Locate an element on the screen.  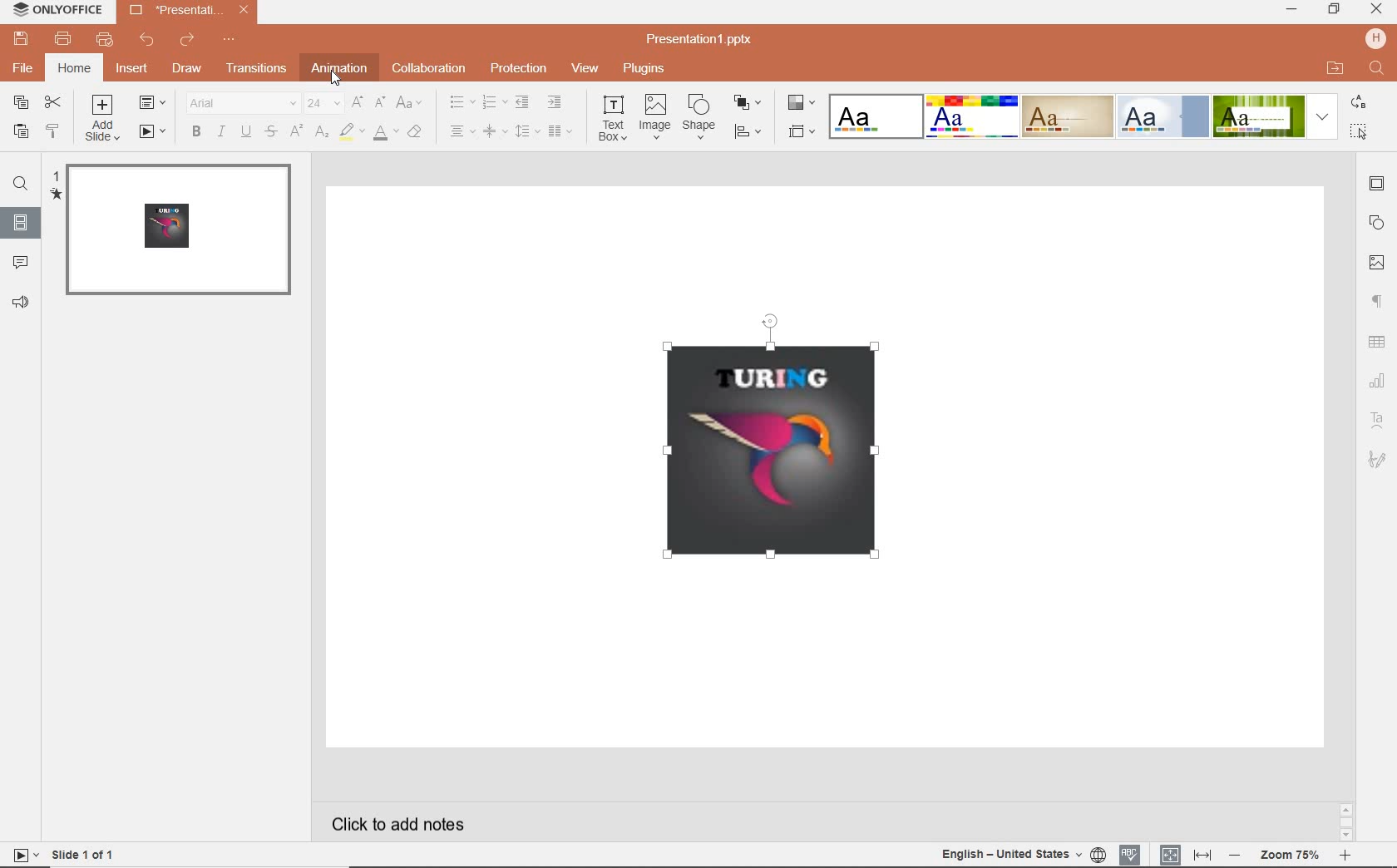
image is located at coordinates (1379, 264).